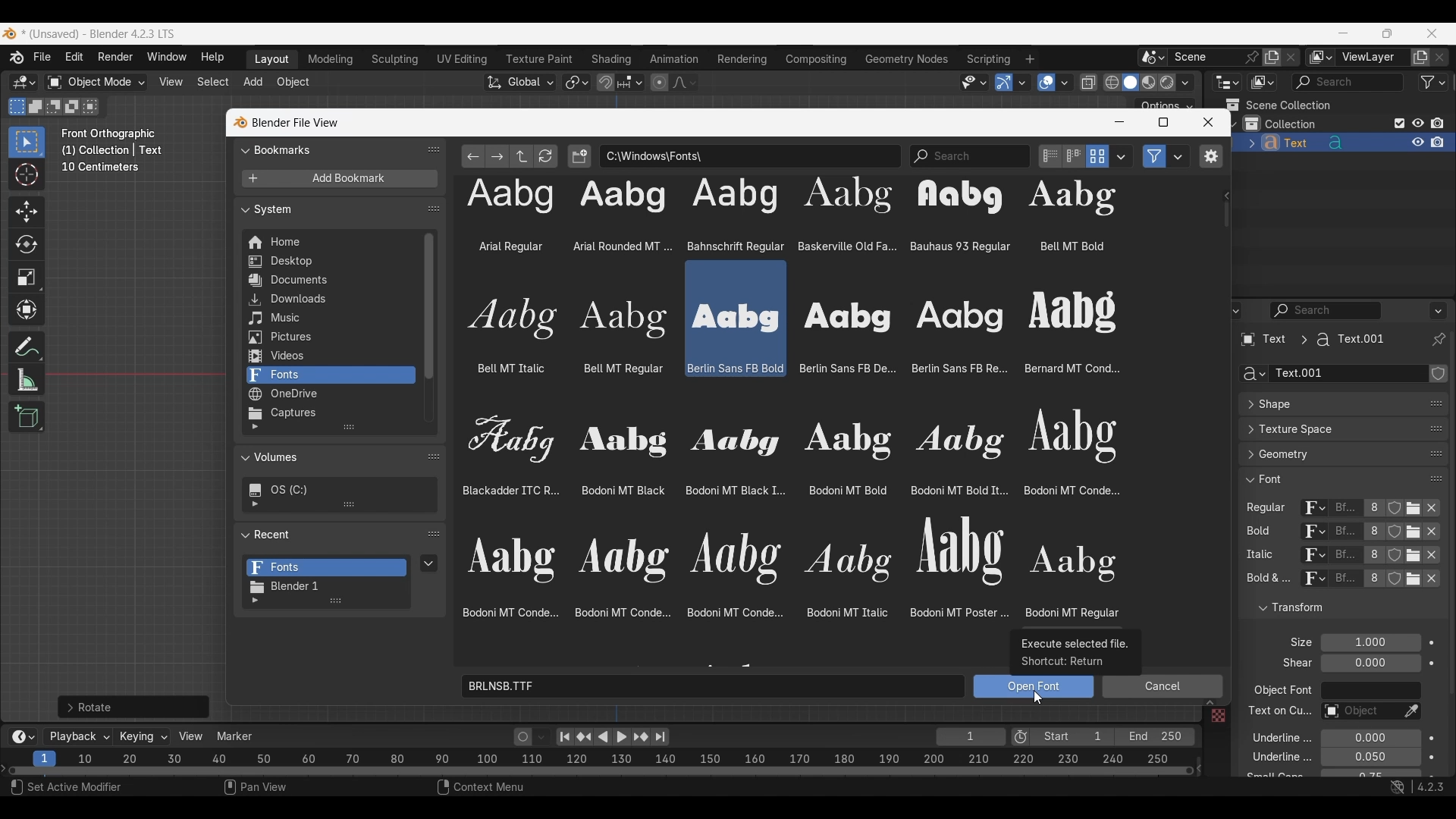 The width and height of the screenshot is (1456, 819). What do you see at coordinates (790, 214) in the screenshot?
I see `font` at bounding box center [790, 214].